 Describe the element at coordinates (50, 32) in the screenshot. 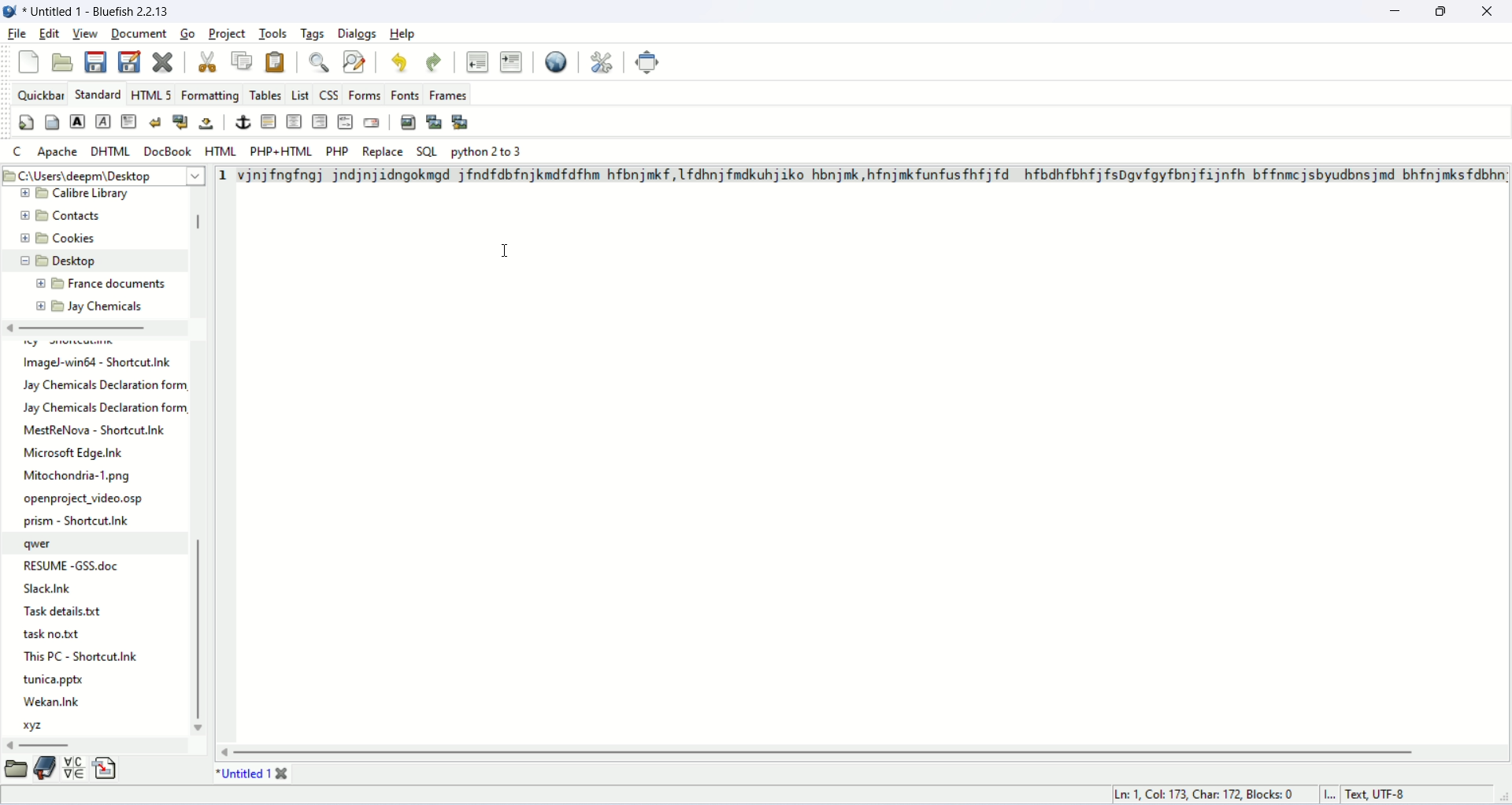

I see `edit` at that location.